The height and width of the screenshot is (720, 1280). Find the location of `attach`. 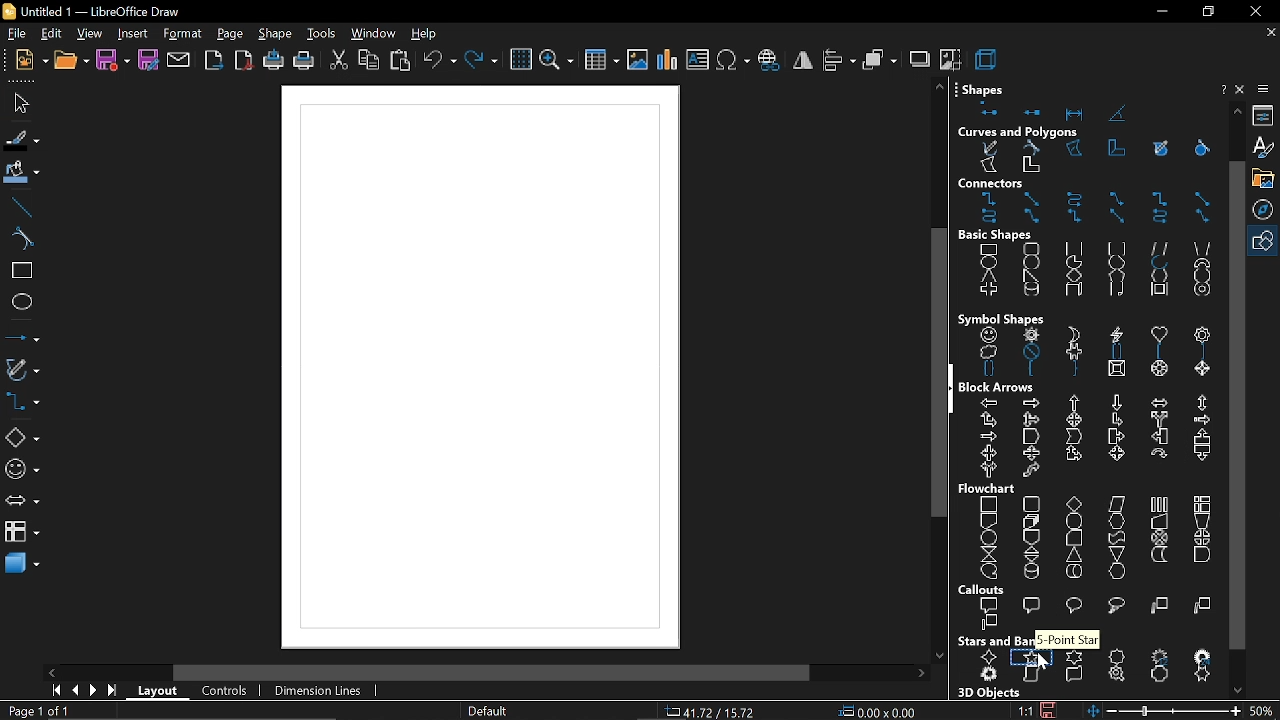

attach is located at coordinates (180, 61).